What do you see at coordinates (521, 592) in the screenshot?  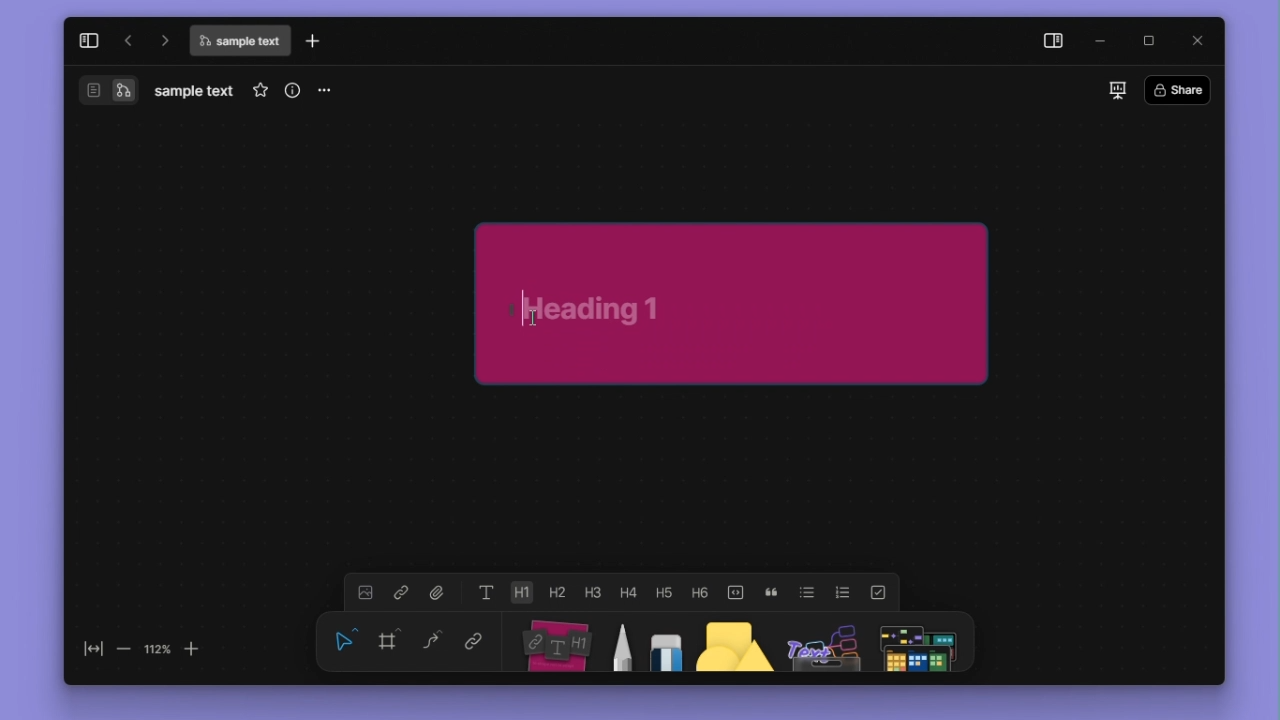 I see `Heading 1` at bounding box center [521, 592].